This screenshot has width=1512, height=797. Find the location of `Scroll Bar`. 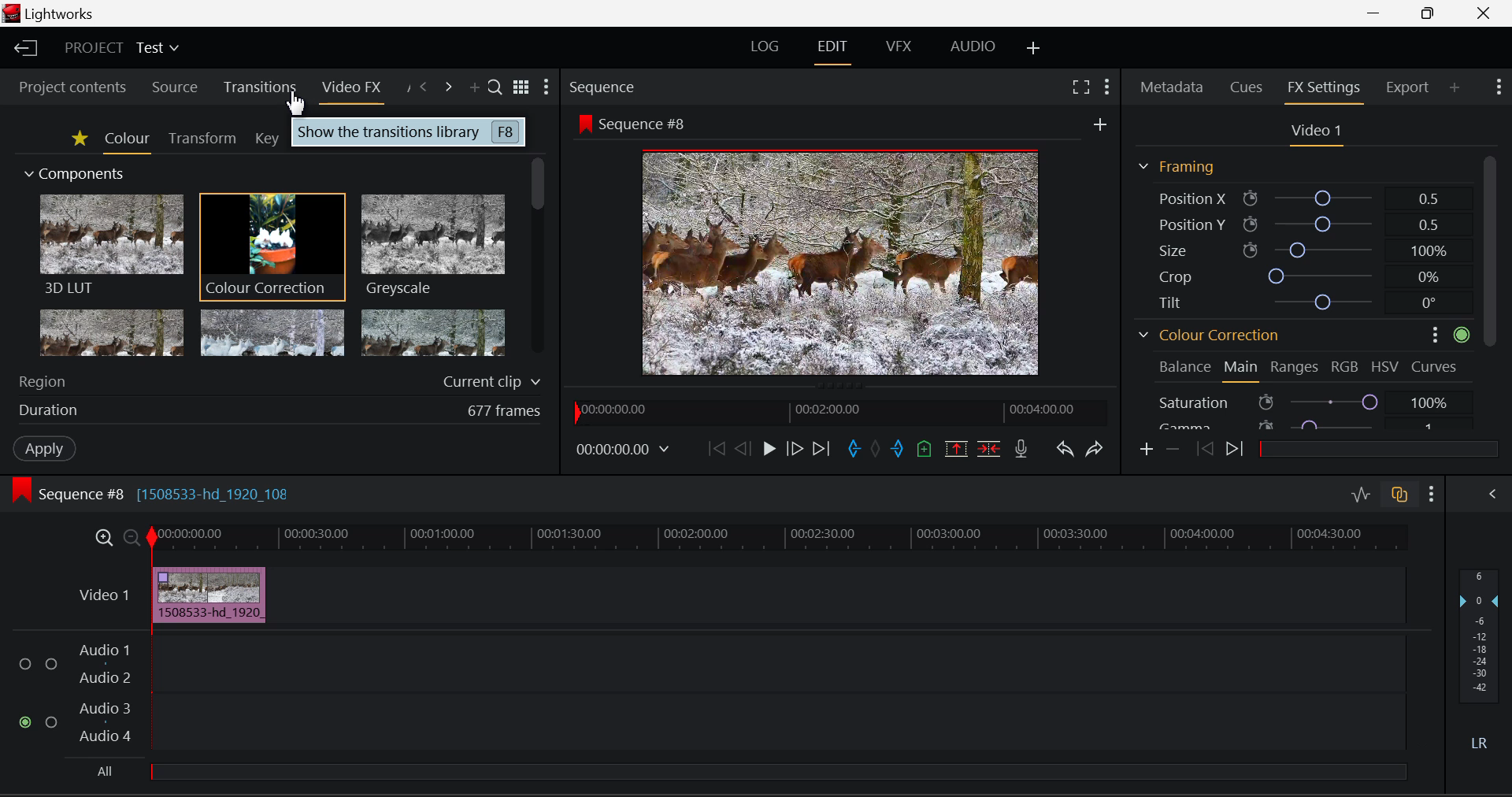

Scroll Bar is located at coordinates (539, 262).